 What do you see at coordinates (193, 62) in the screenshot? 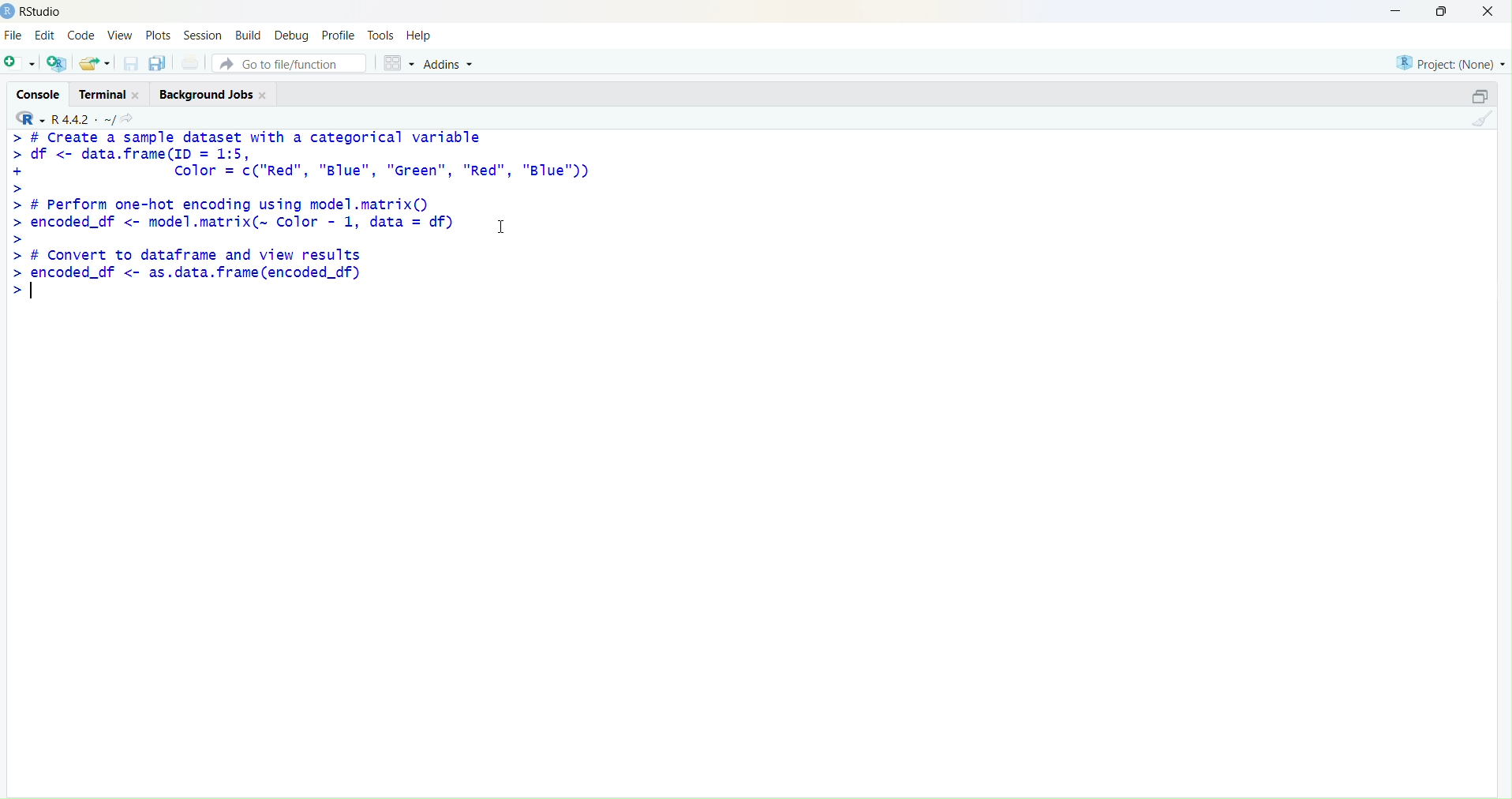
I see `print` at bounding box center [193, 62].